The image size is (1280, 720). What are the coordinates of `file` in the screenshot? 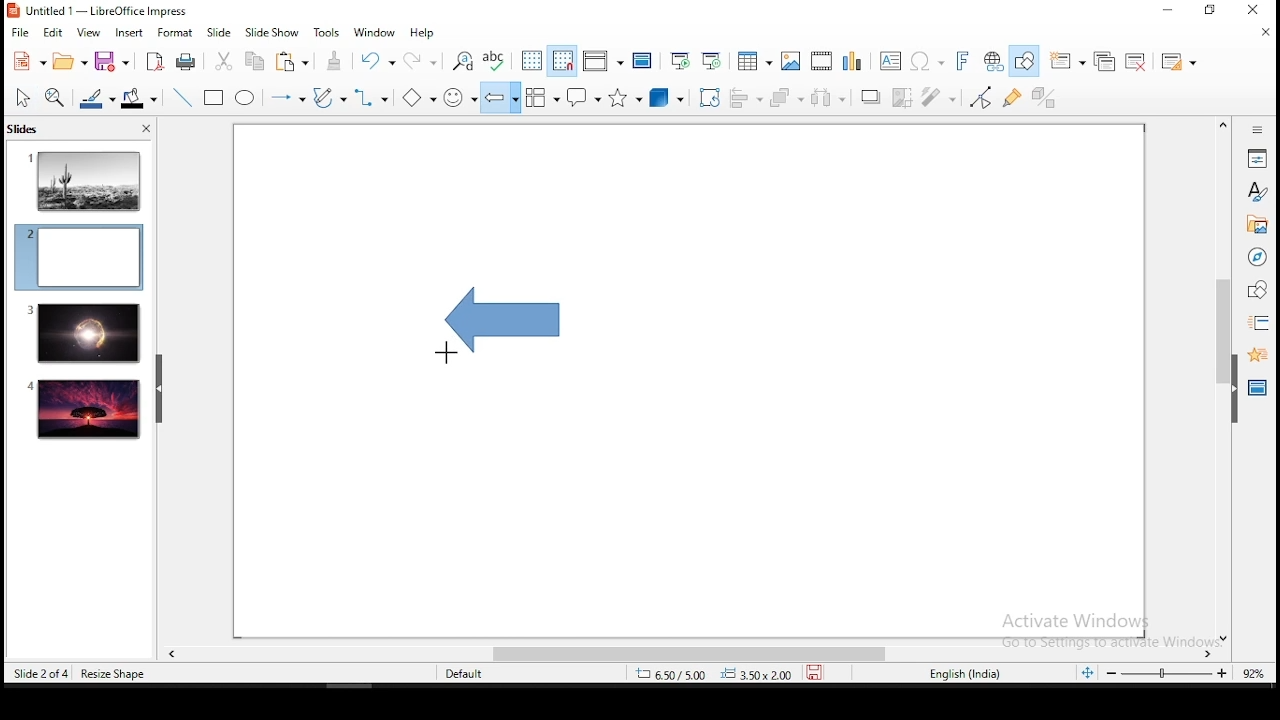 It's located at (18, 31).